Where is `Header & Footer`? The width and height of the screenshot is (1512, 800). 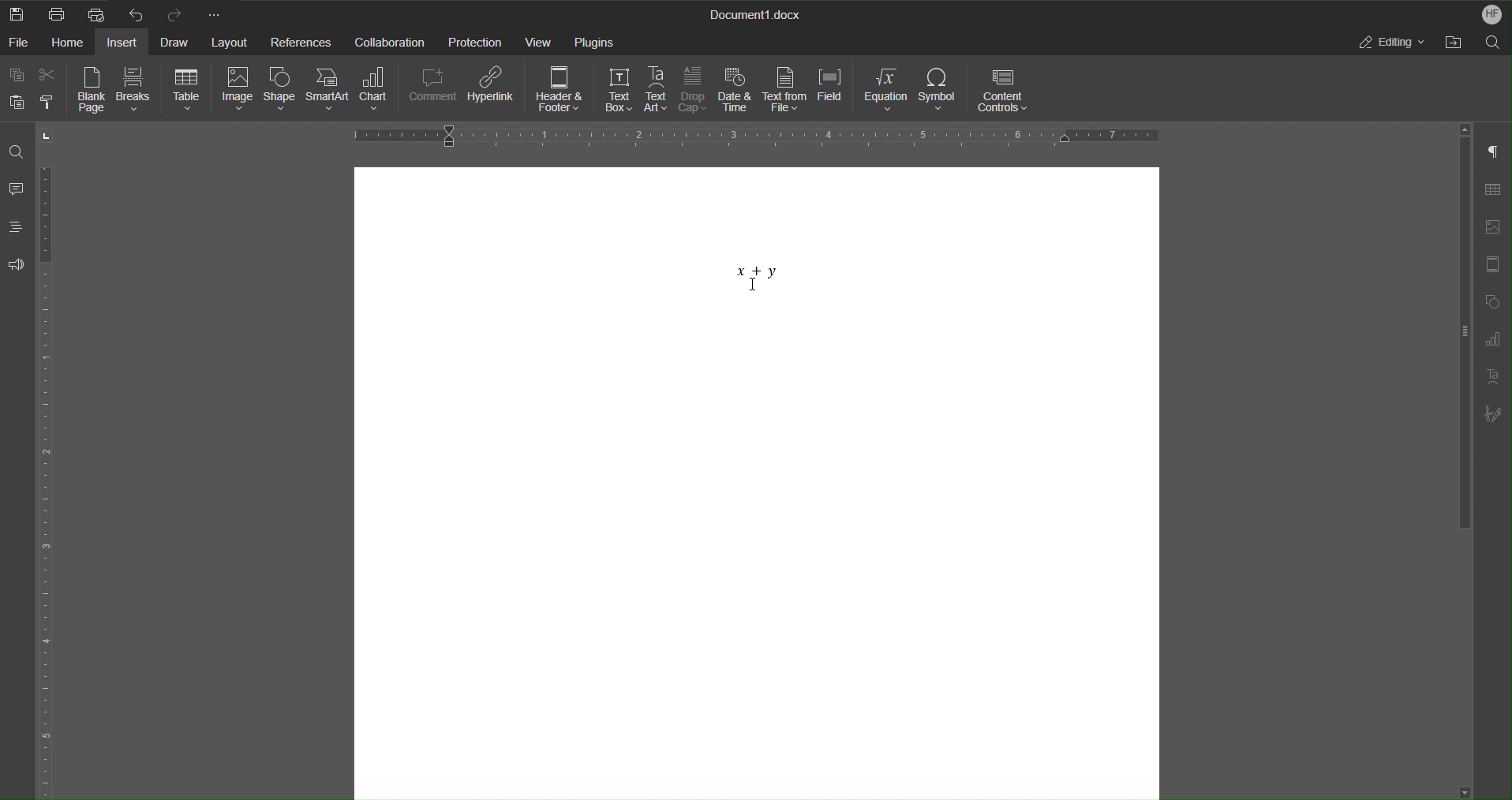
Header & Footer is located at coordinates (560, 90).